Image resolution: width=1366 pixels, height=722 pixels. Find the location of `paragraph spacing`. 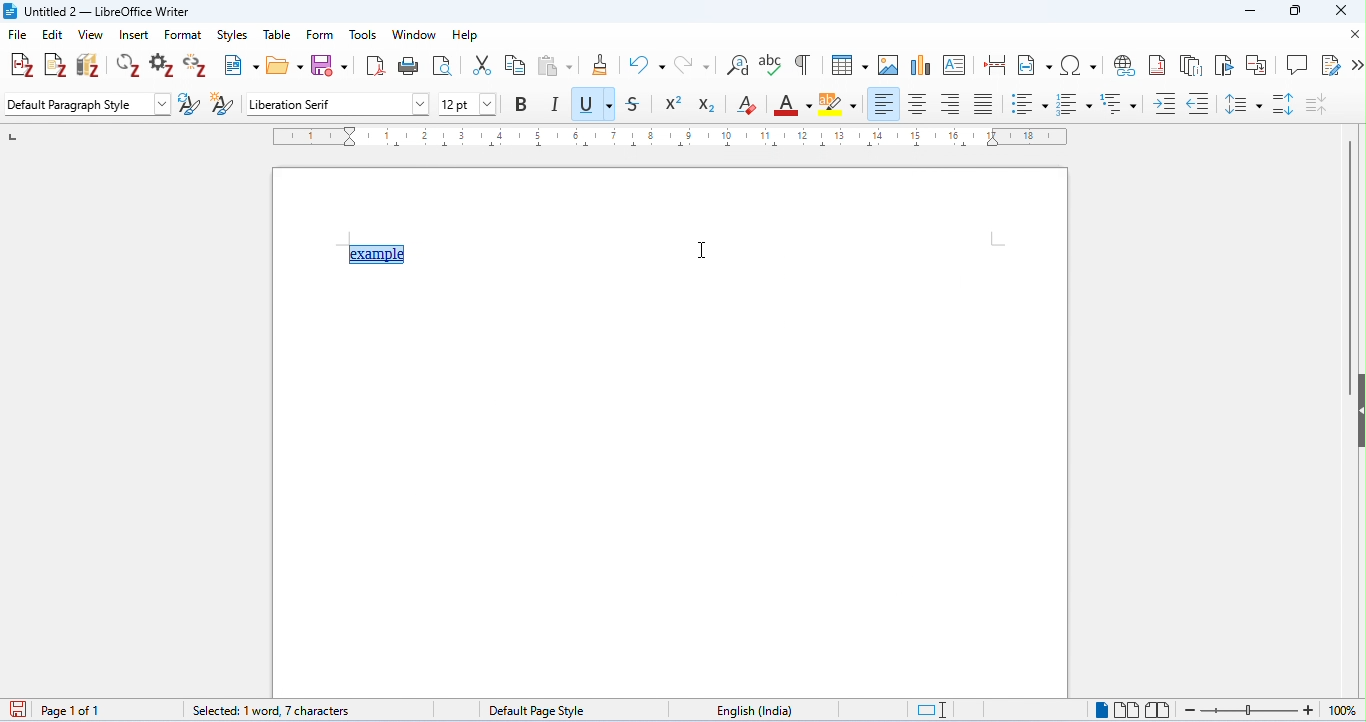

paragraph spacing is located at coordinates (1285, 104).